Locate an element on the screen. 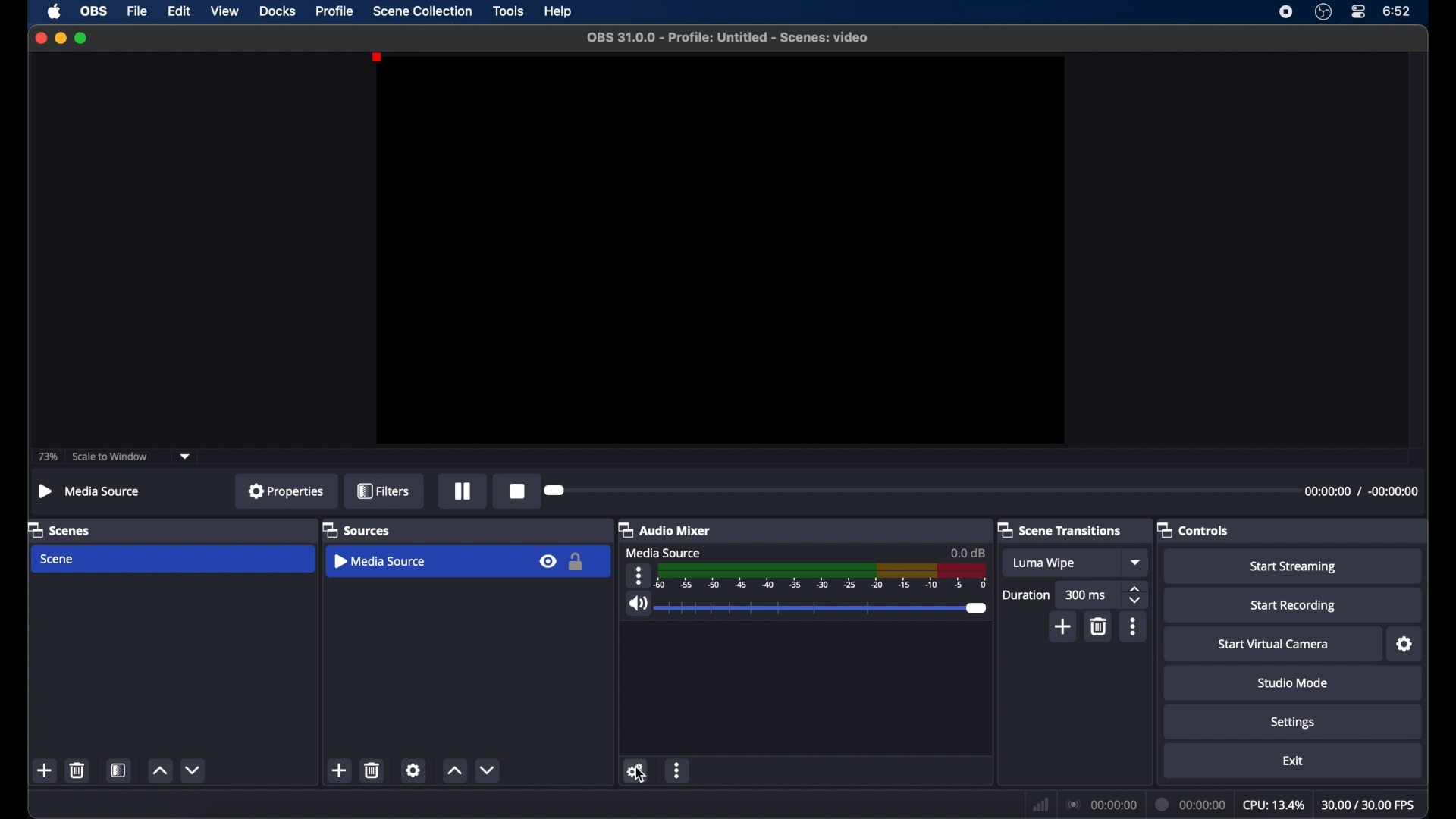 Image resolution: width=1456 pixels, height=819 pixels. mediasourcce is located at coordinates (663, 552).